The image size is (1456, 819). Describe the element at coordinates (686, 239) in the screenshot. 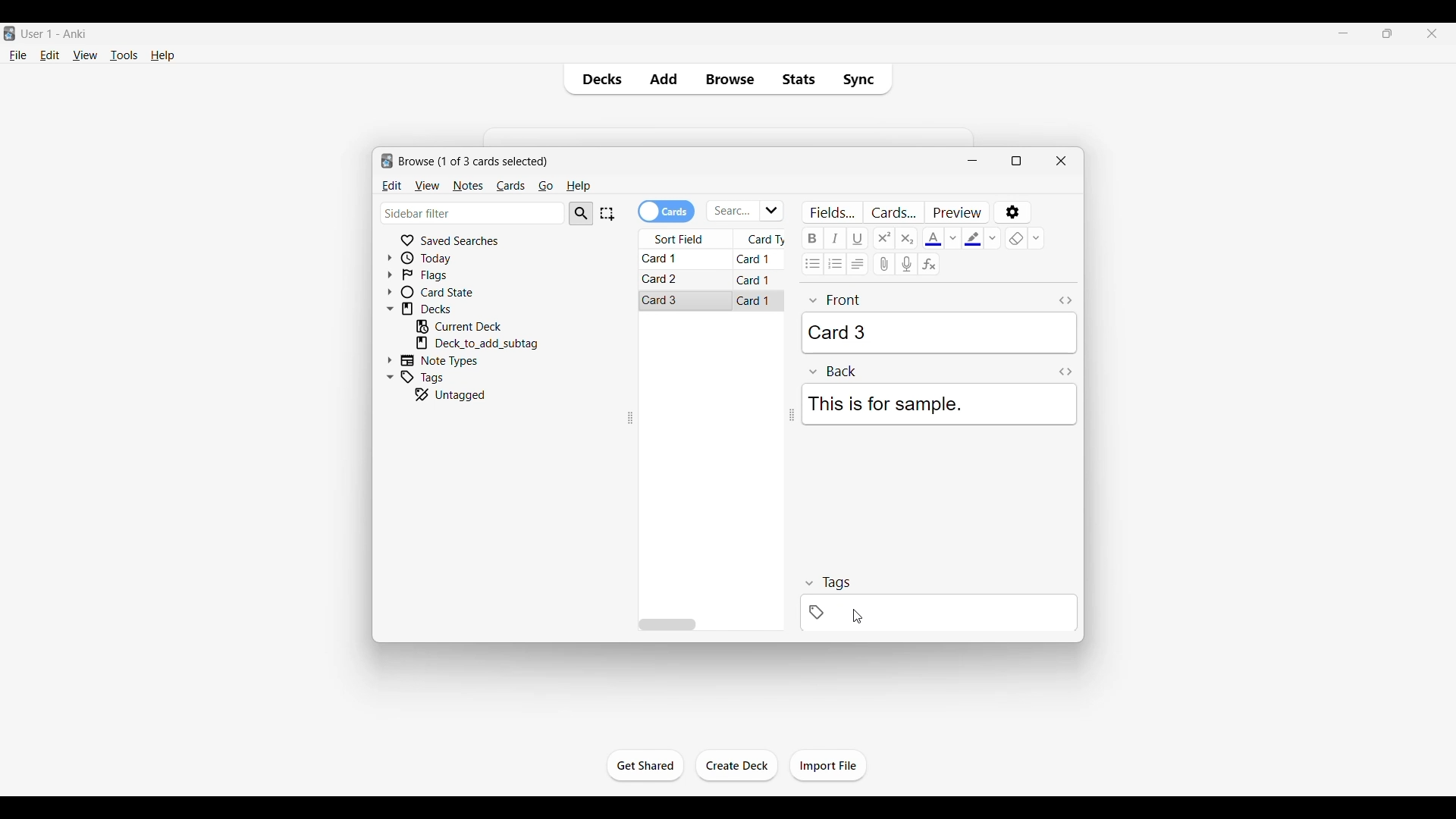

I see `Sort field column` at that location.